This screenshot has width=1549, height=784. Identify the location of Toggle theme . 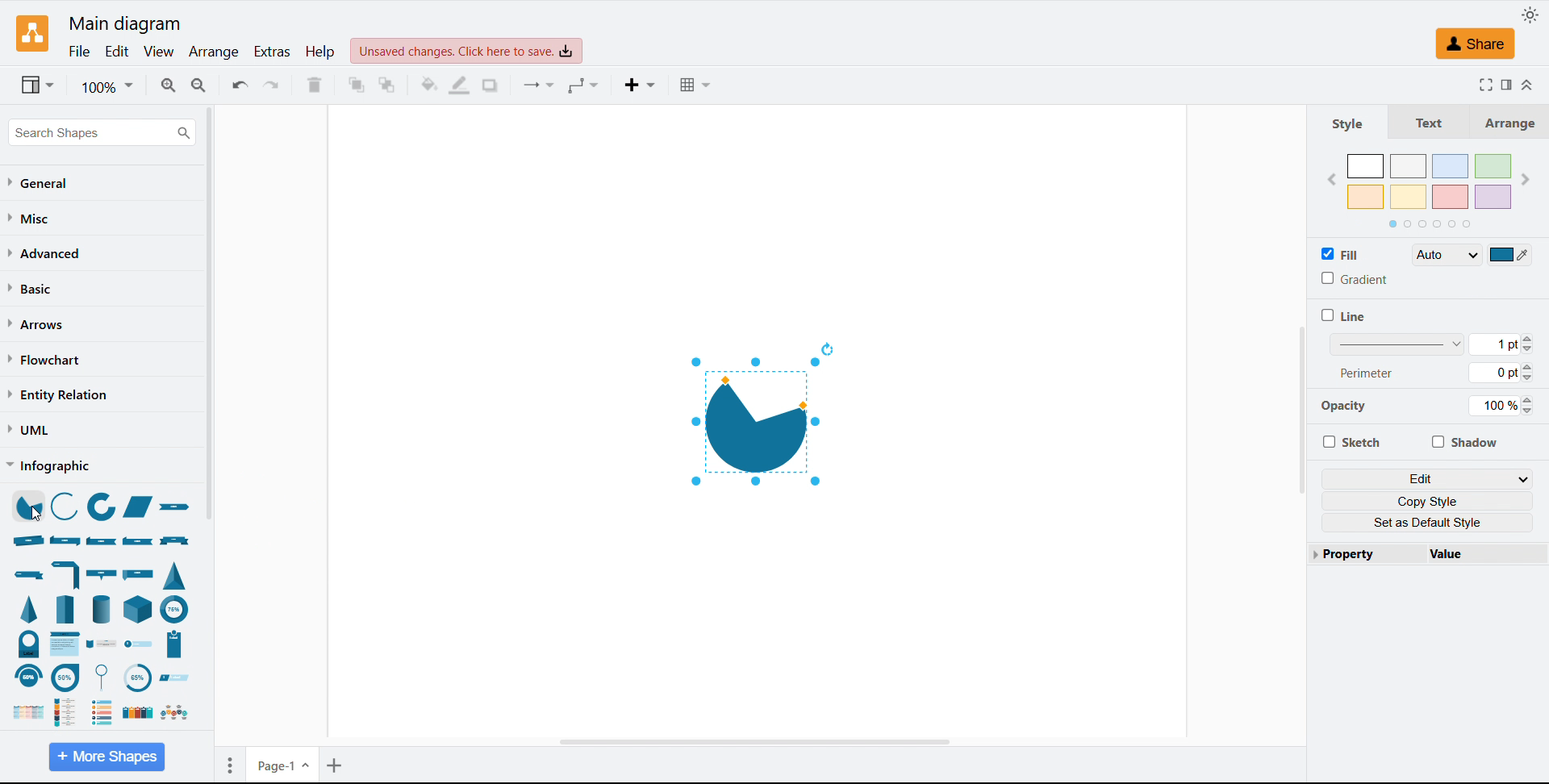
(1530, 15).